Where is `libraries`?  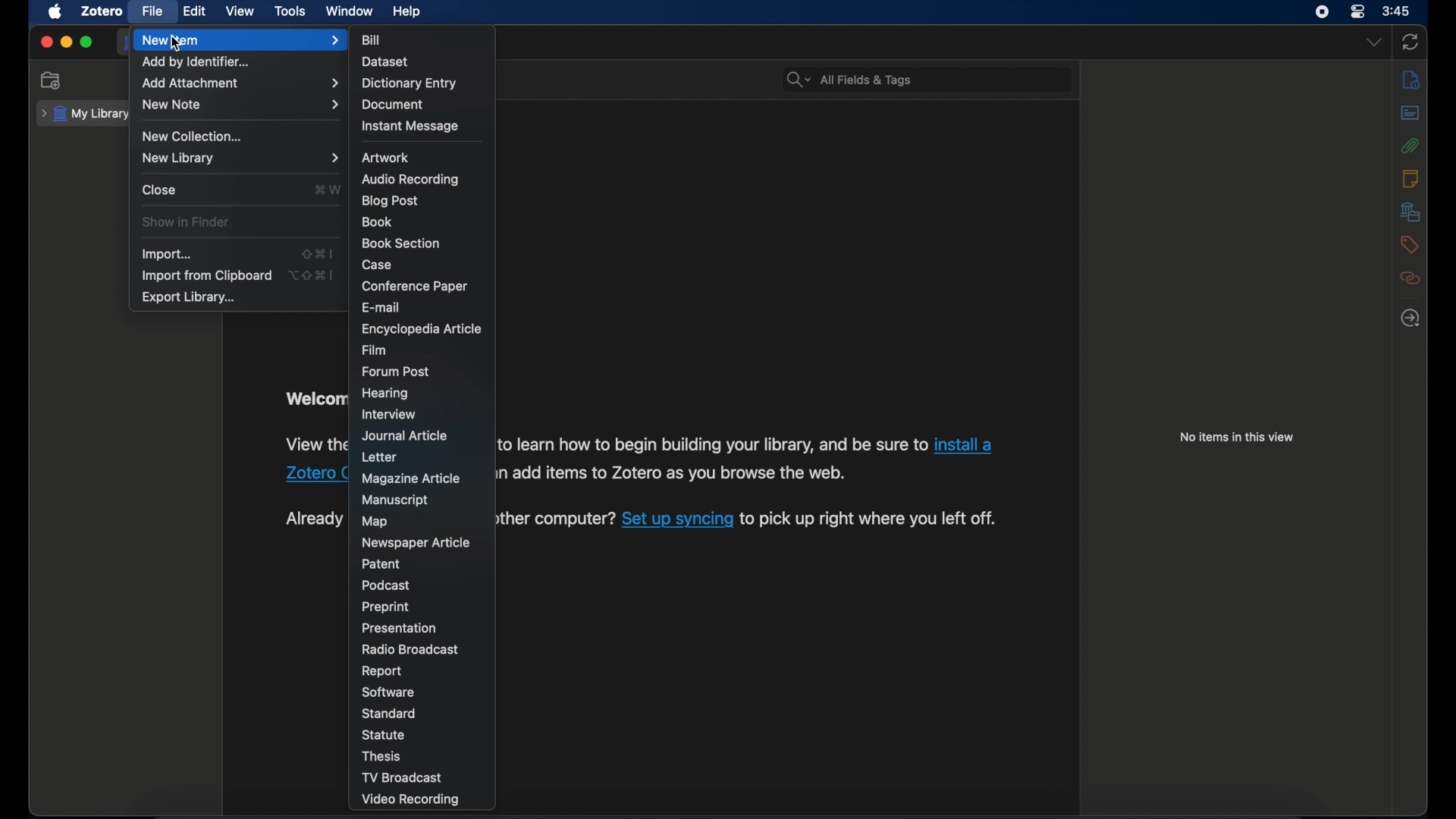
libraries is located at coordinates (1409, 212).